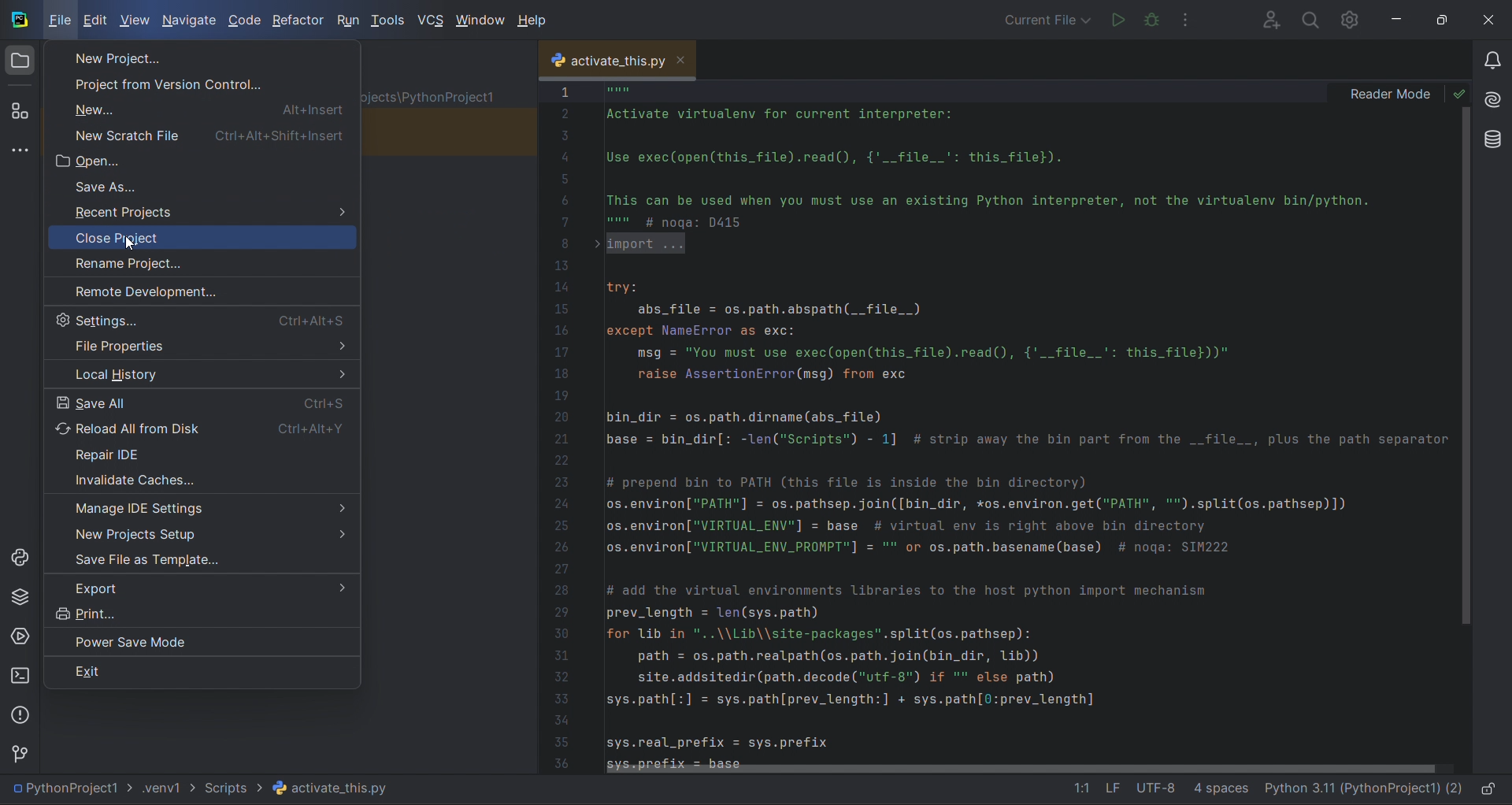  What do you see at coordinates (94, 21) in the screenshot?
I see `edit` at bounding box center [94, 21].